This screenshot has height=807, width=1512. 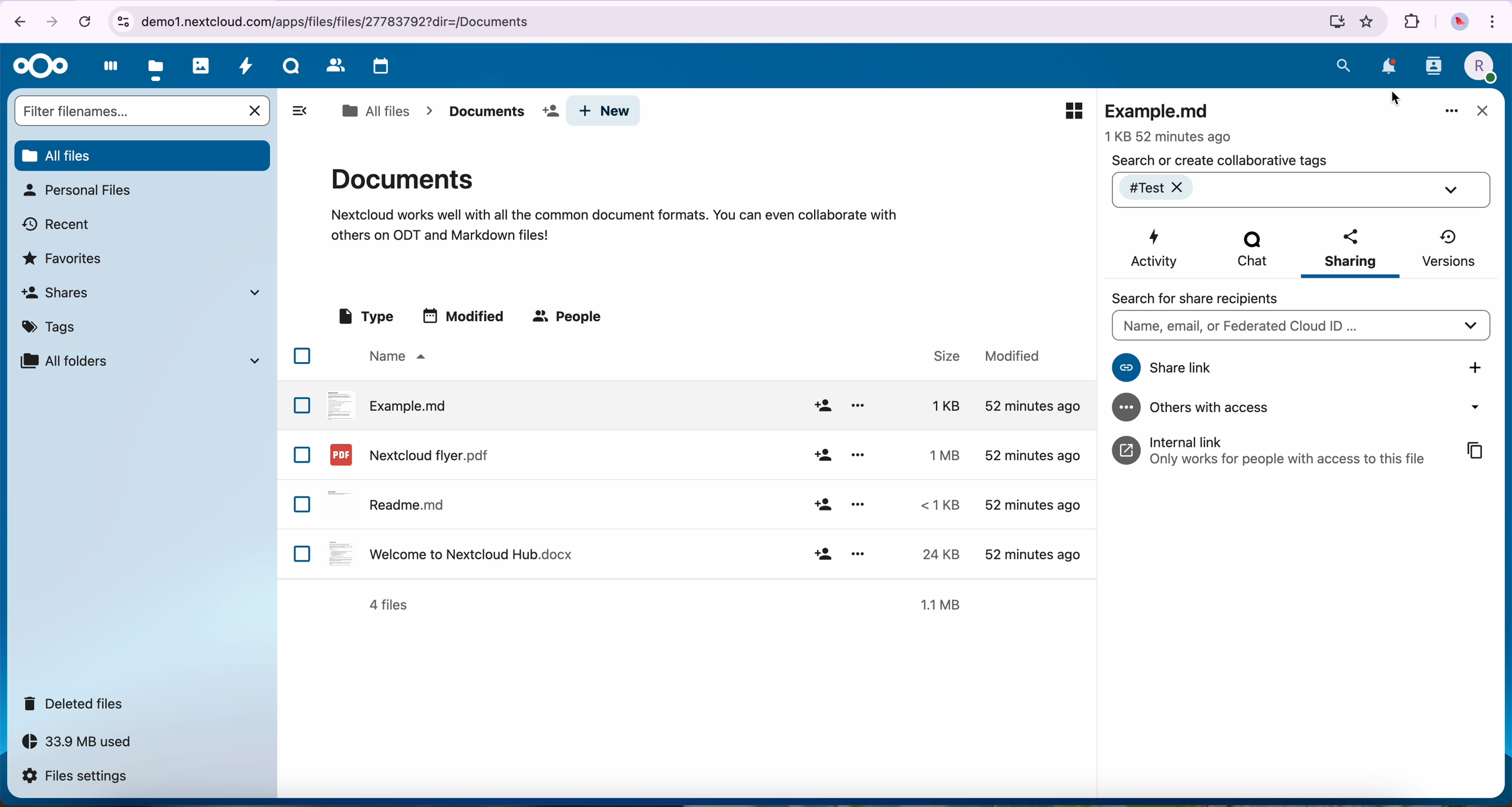 What do you see at coordinates (77, 777) in the screenshot?
I see `files settings` at bounding box center [77, 777].